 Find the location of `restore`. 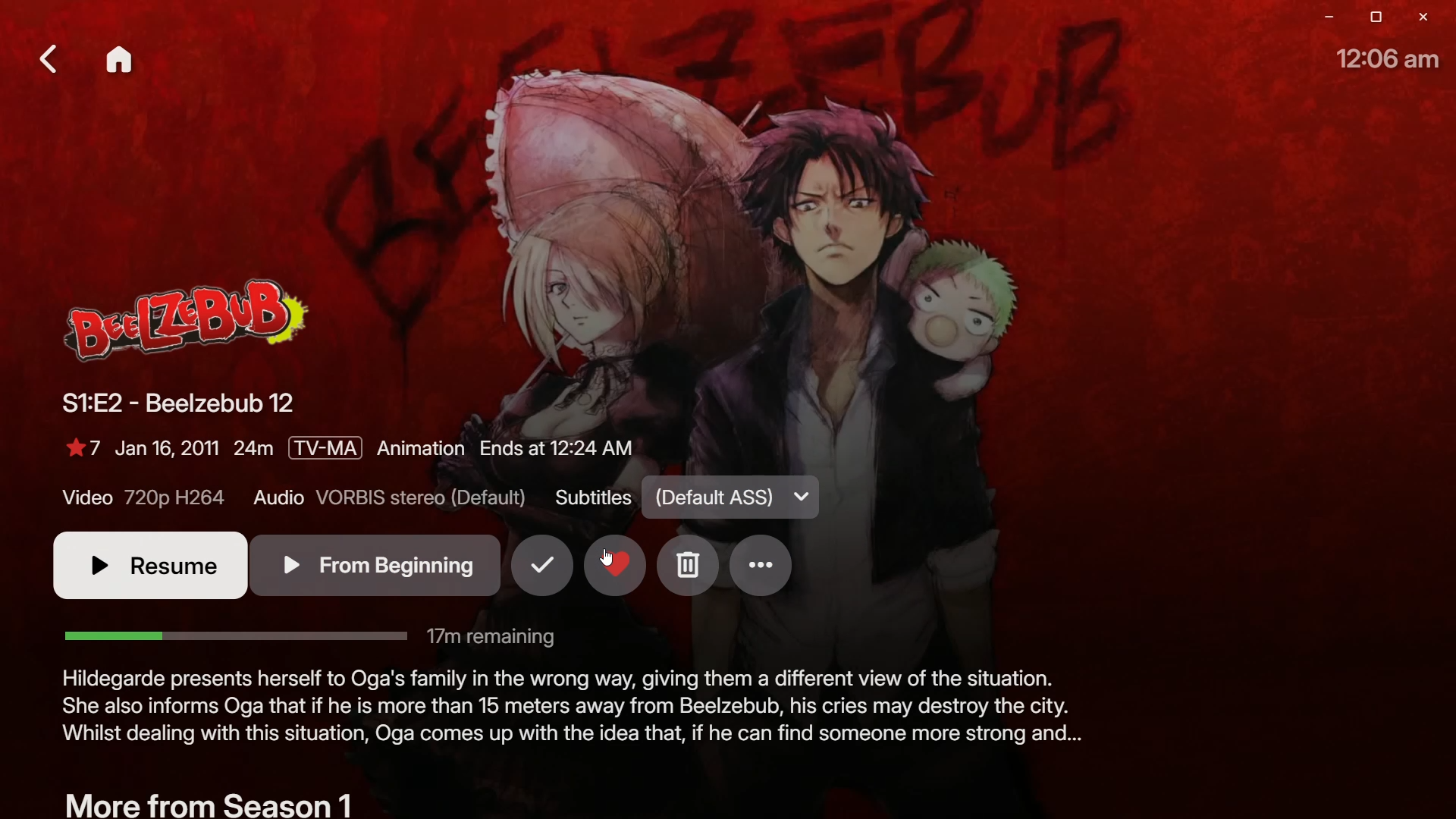

restore is located at coordinates (1368, 17).